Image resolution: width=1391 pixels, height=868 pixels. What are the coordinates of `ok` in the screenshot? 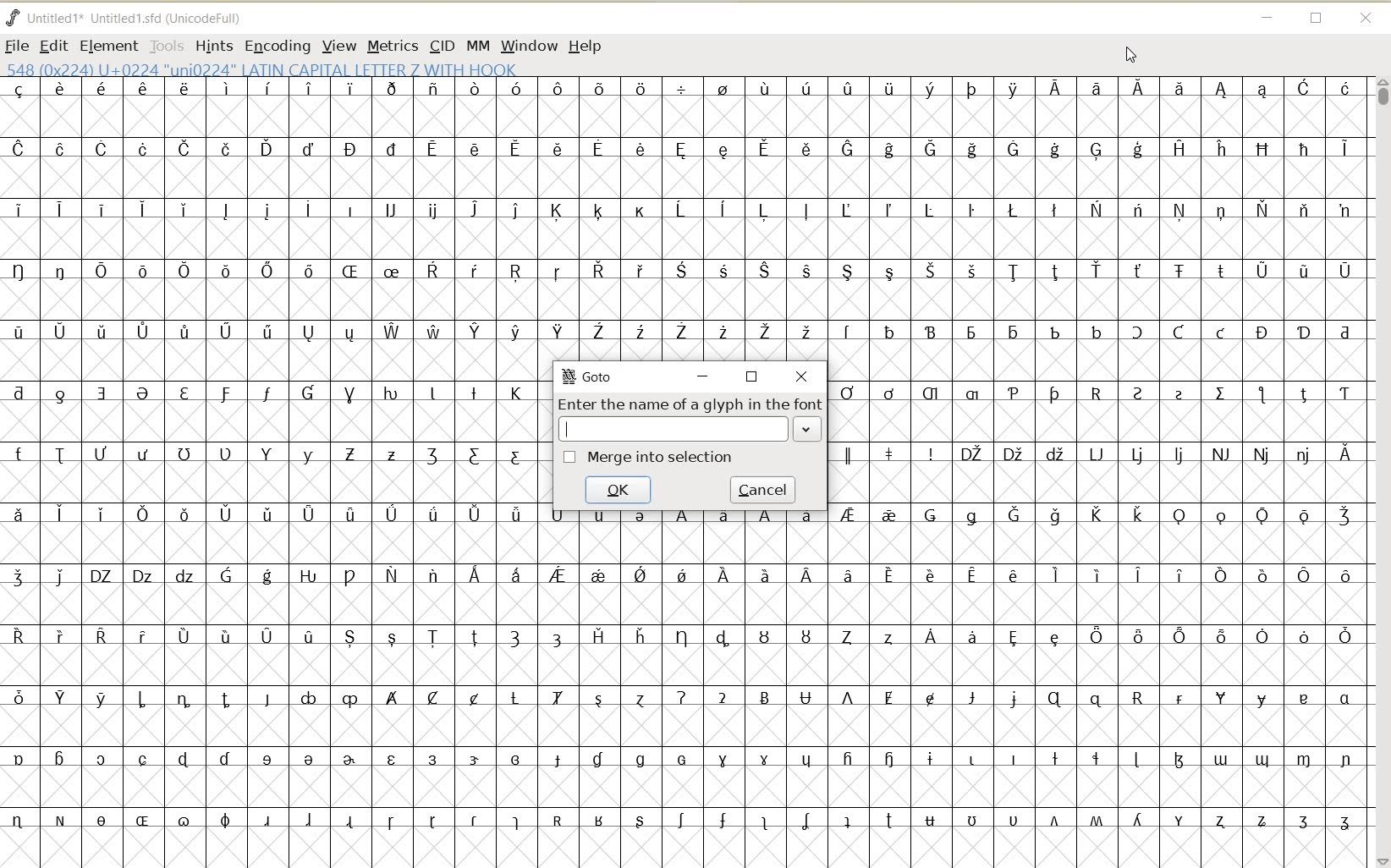 It's located at (618, 489).